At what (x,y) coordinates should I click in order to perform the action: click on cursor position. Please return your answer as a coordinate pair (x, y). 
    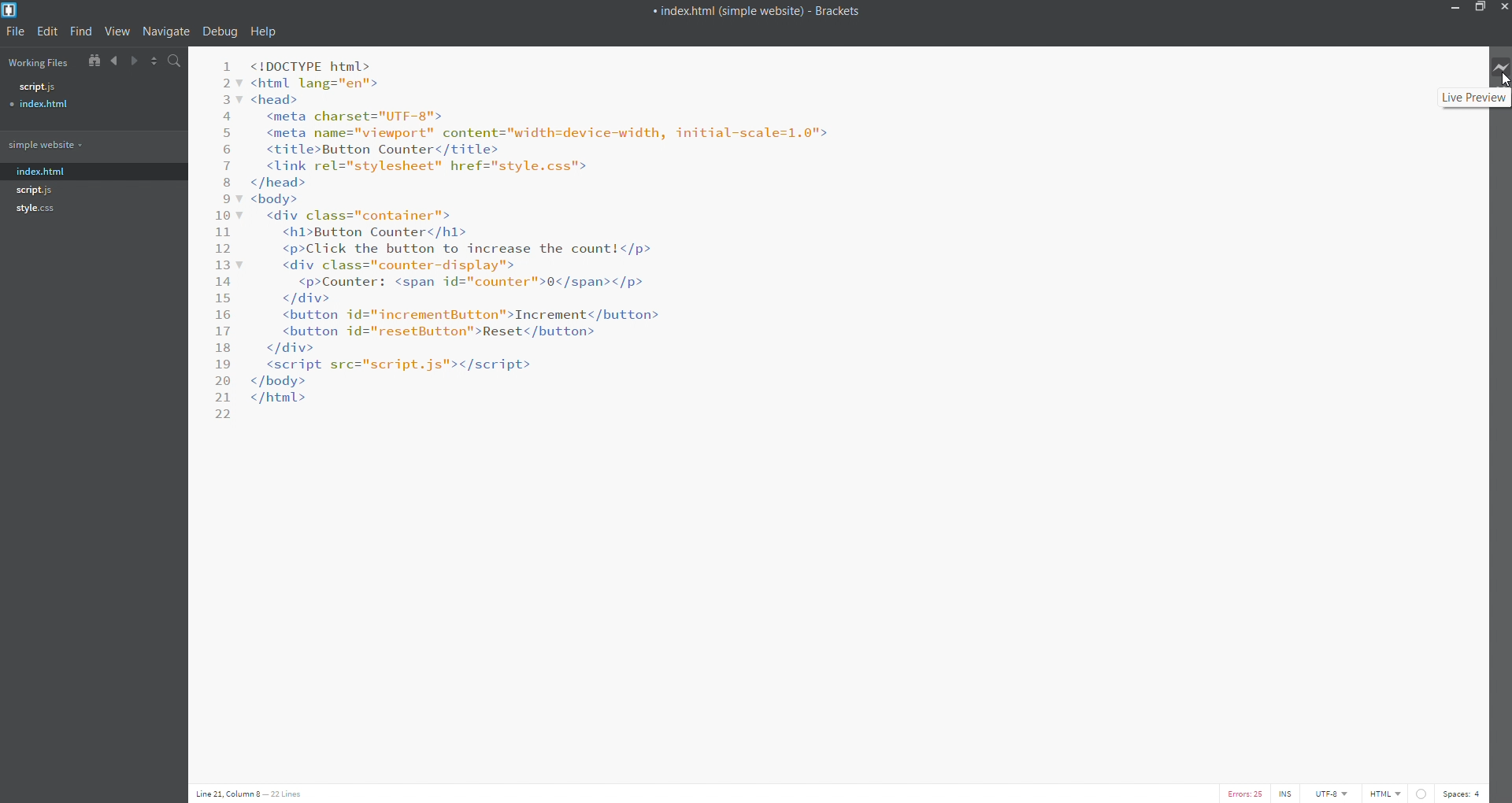
    Looking at the image, I should click on (264, 794).